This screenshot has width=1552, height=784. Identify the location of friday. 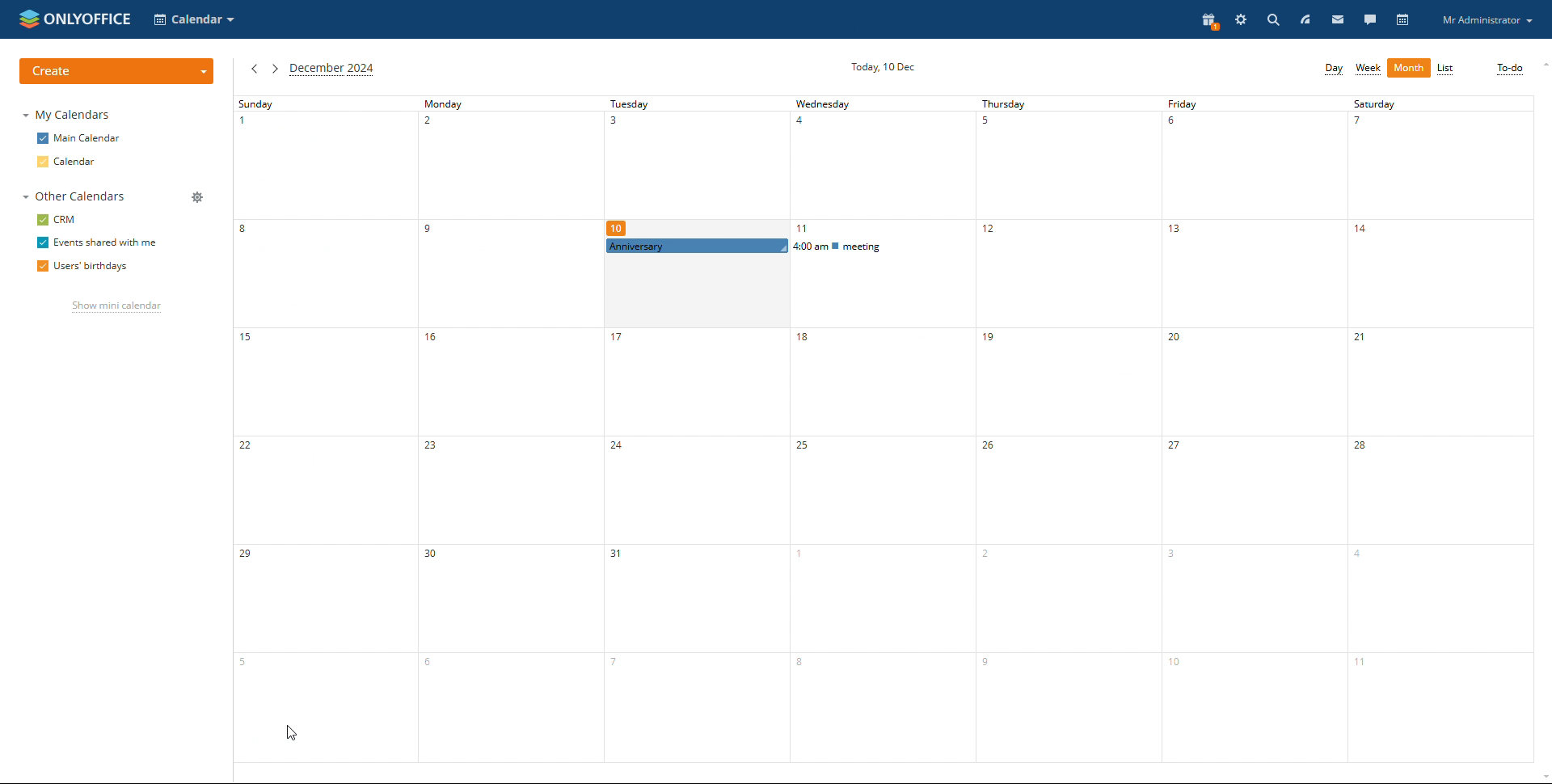
(1250, 429).